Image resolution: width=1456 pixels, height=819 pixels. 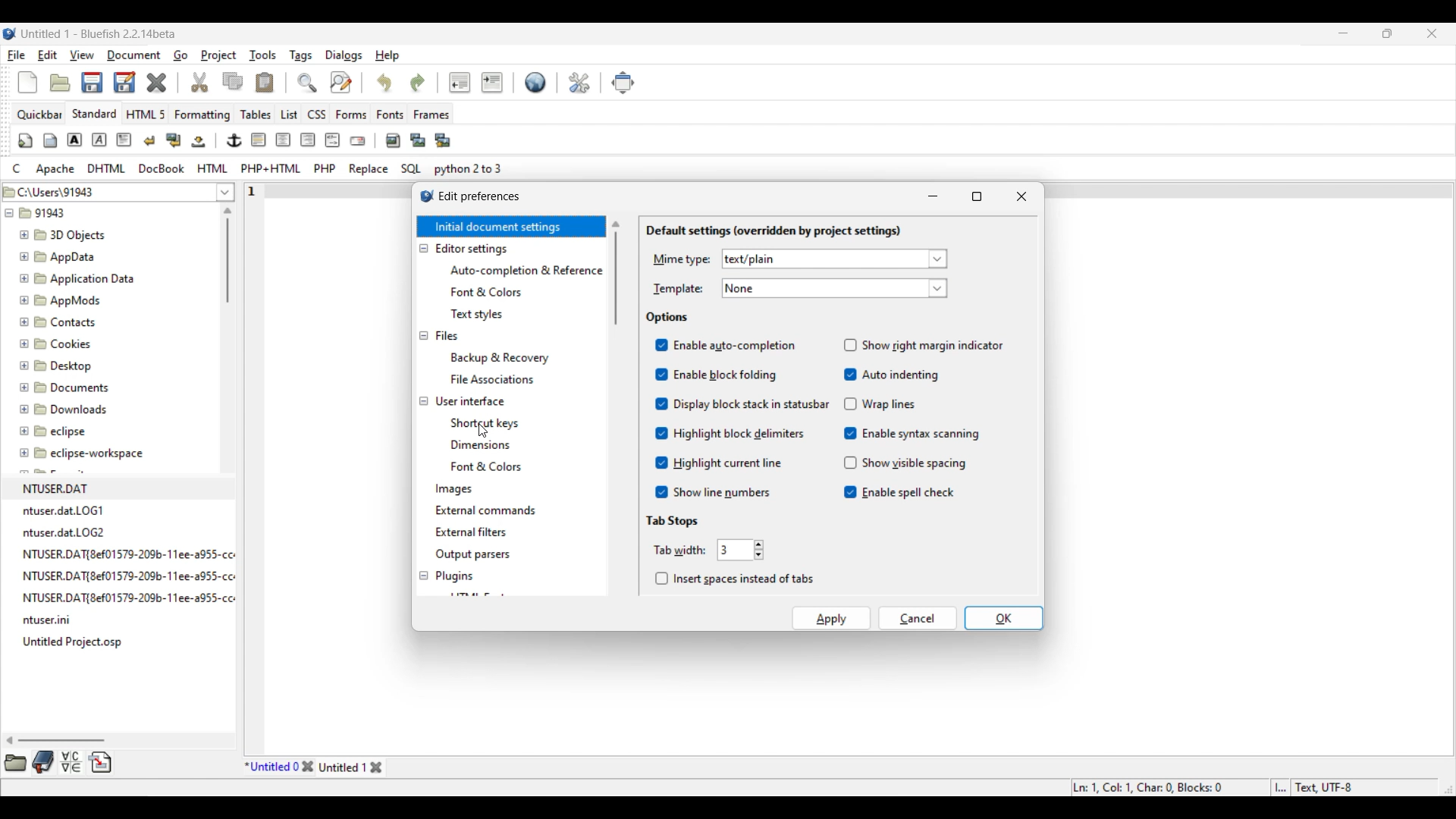 I want to click on File Associations, so click(x=491, y=379).